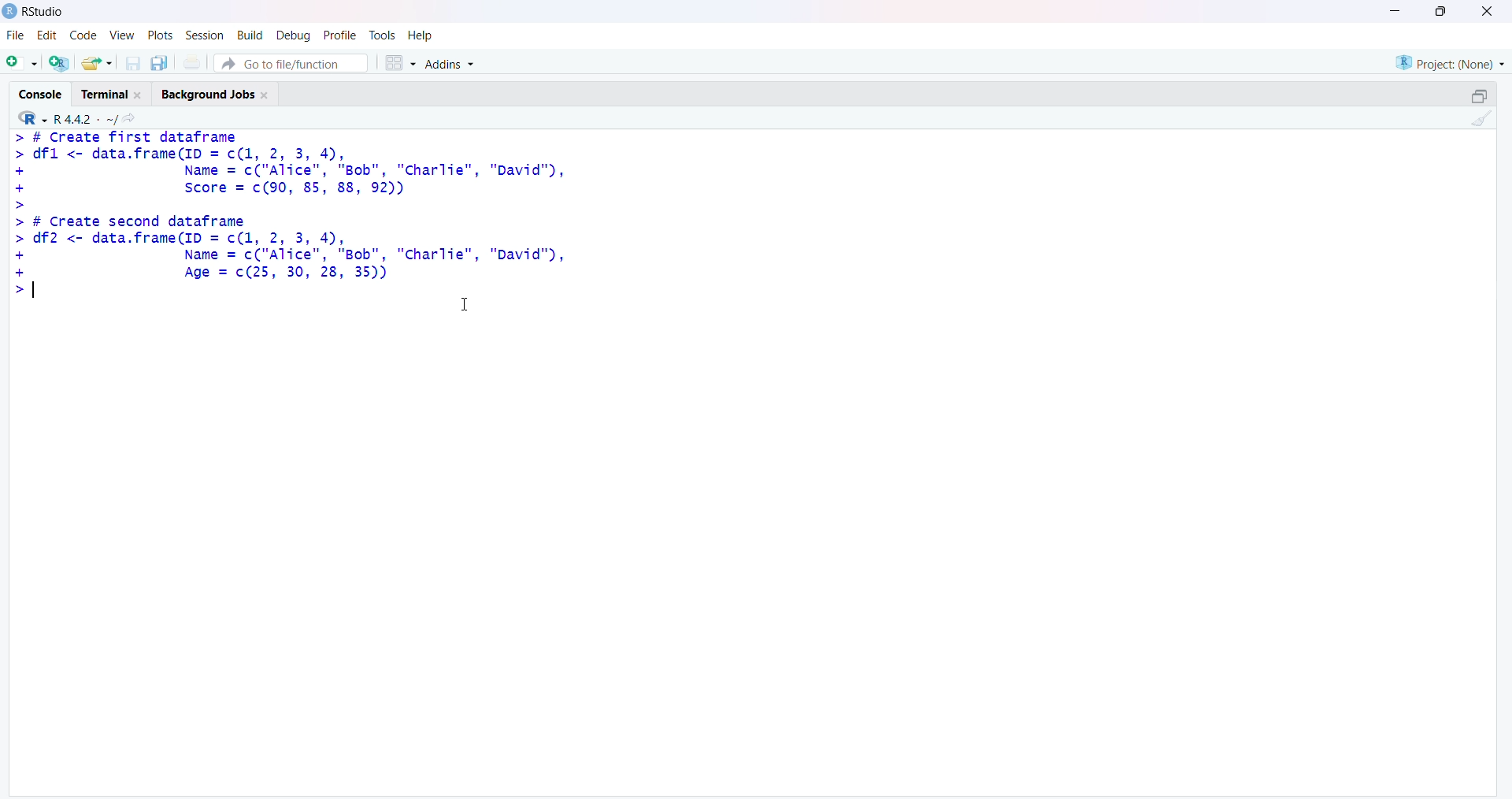 The height and width of the screenshot is (799, 1512). Describe the element at coordinates (1483, 118) in the screenshot. I see `clean` at that location.